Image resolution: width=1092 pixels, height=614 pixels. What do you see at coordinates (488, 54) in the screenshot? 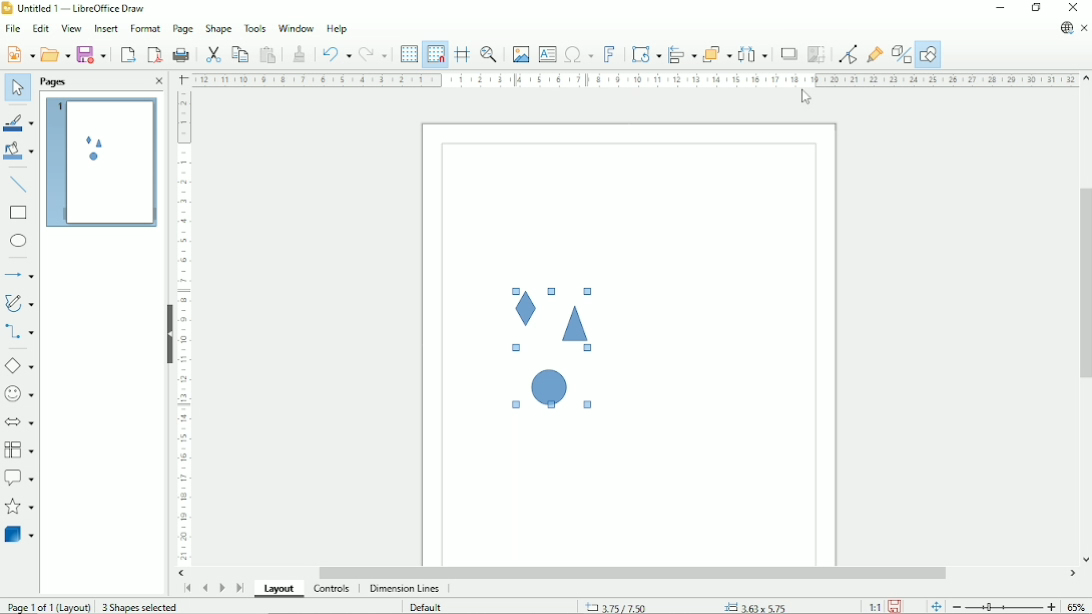
I see `Zoom & pan` at bounding box center [488, 54].